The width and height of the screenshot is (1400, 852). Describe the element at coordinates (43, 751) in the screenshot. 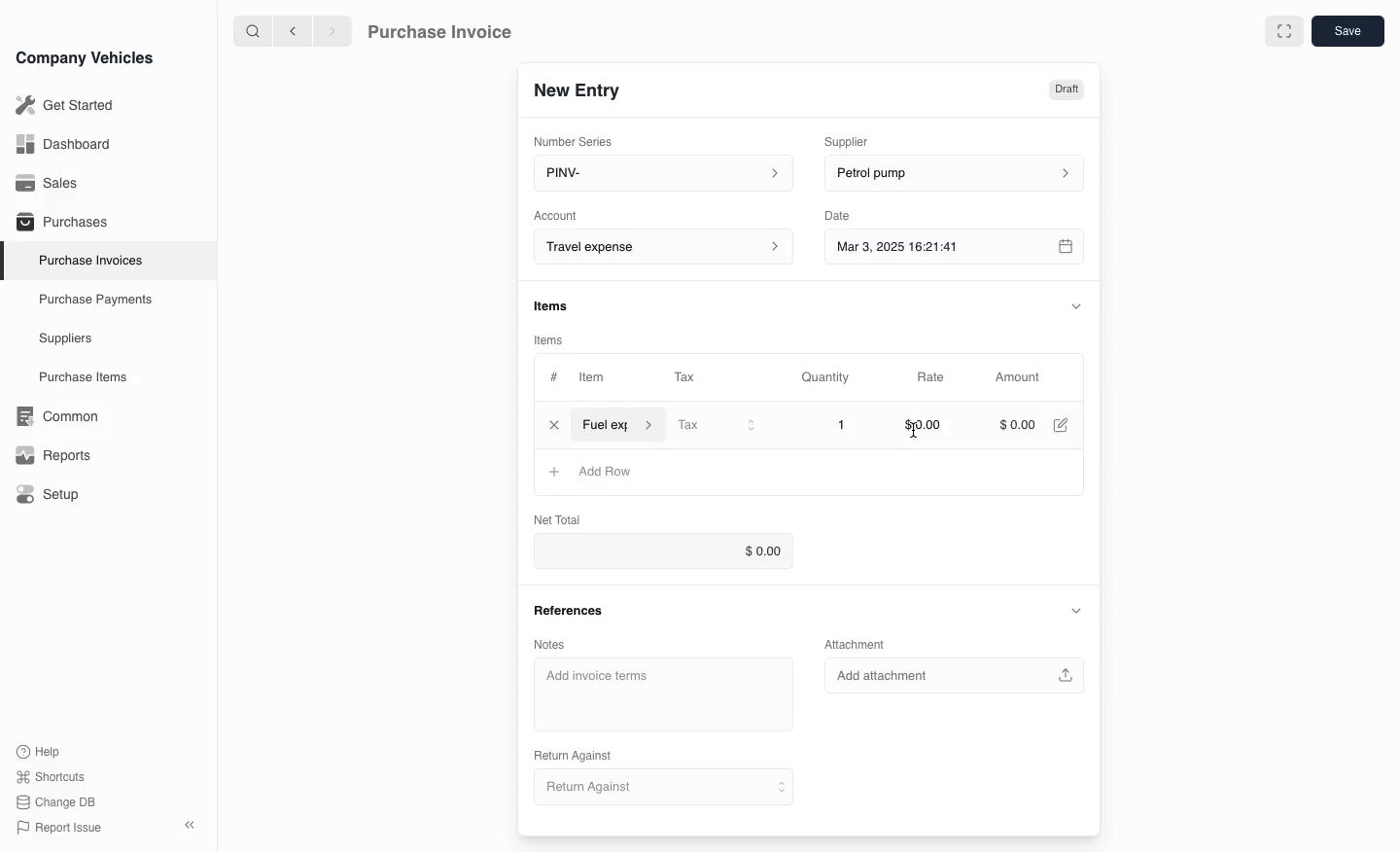

I see `Help` at that location.